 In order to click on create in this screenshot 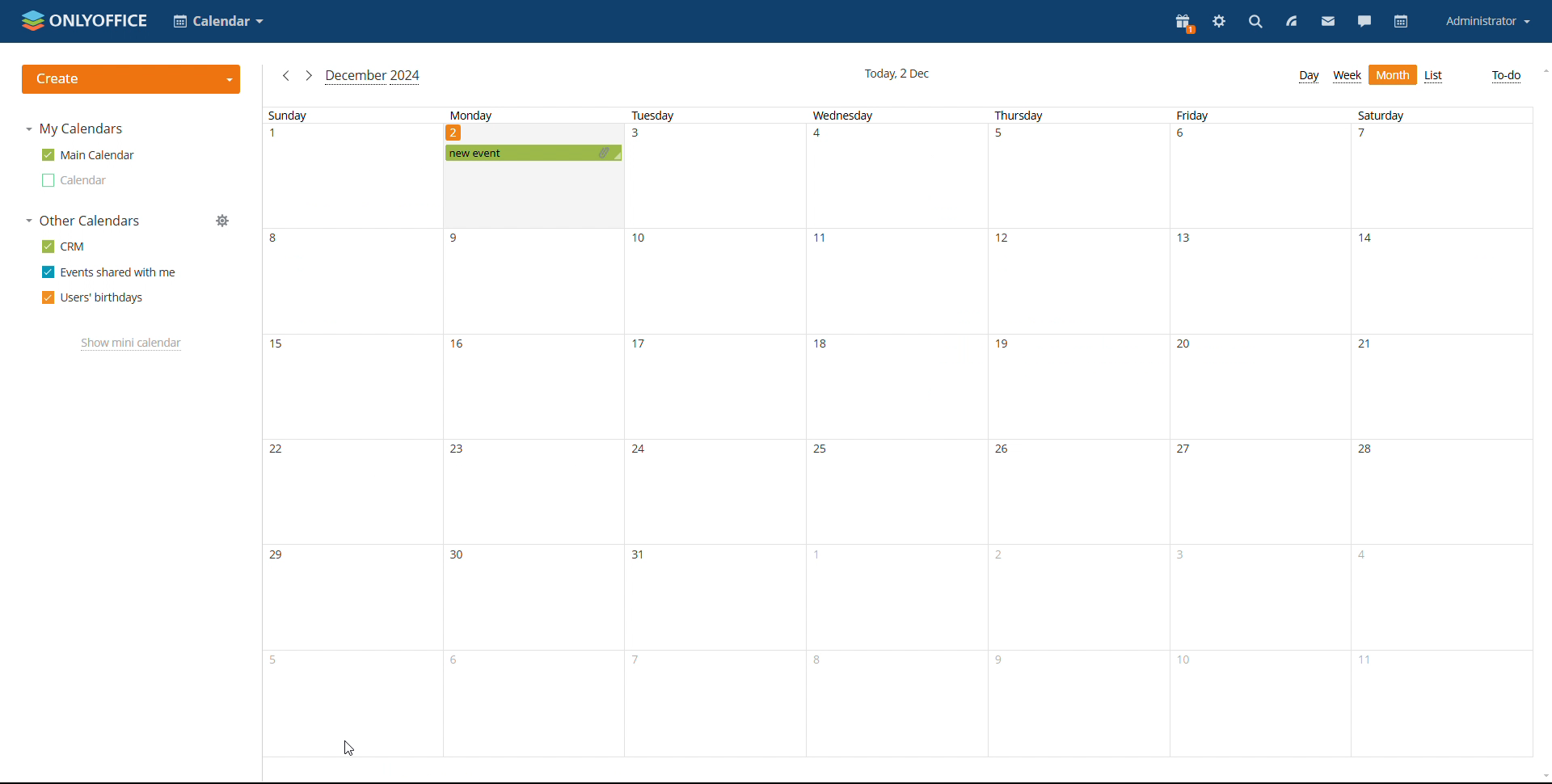, I will do `click(131, 80)`.